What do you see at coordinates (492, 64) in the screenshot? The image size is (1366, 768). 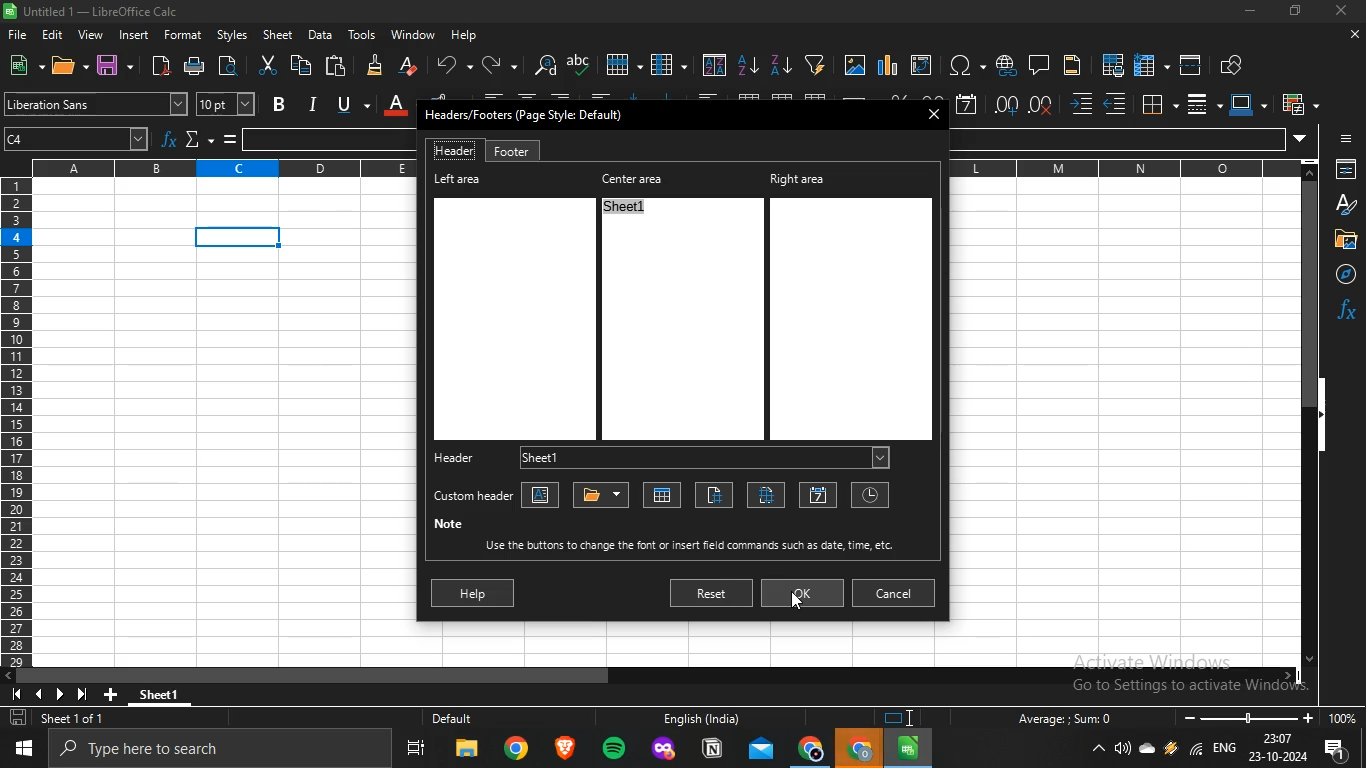 I see `redo` at bounding box center [492, 64].